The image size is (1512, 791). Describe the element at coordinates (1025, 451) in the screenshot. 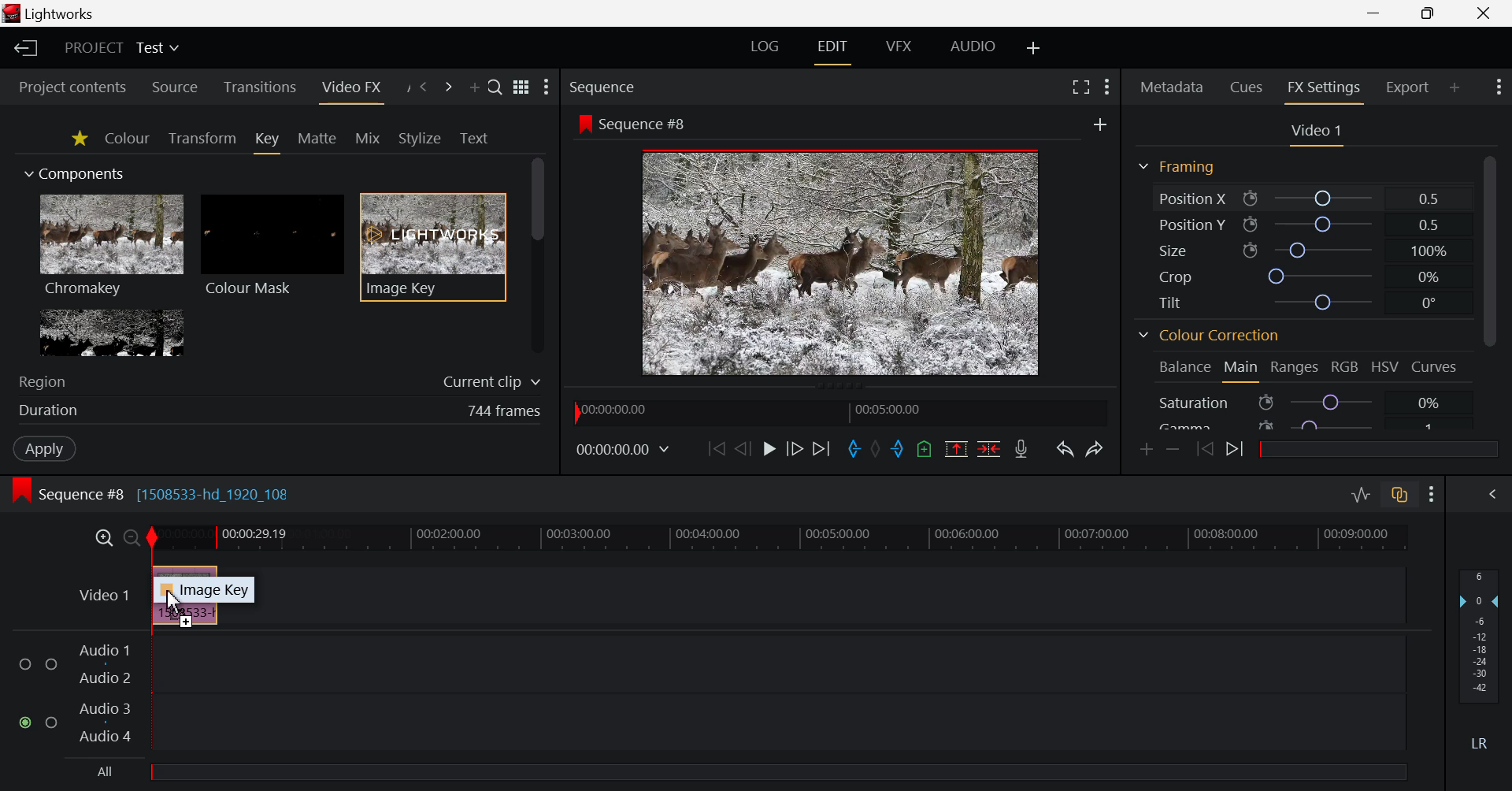

I see `Record Voiceover` at that location.